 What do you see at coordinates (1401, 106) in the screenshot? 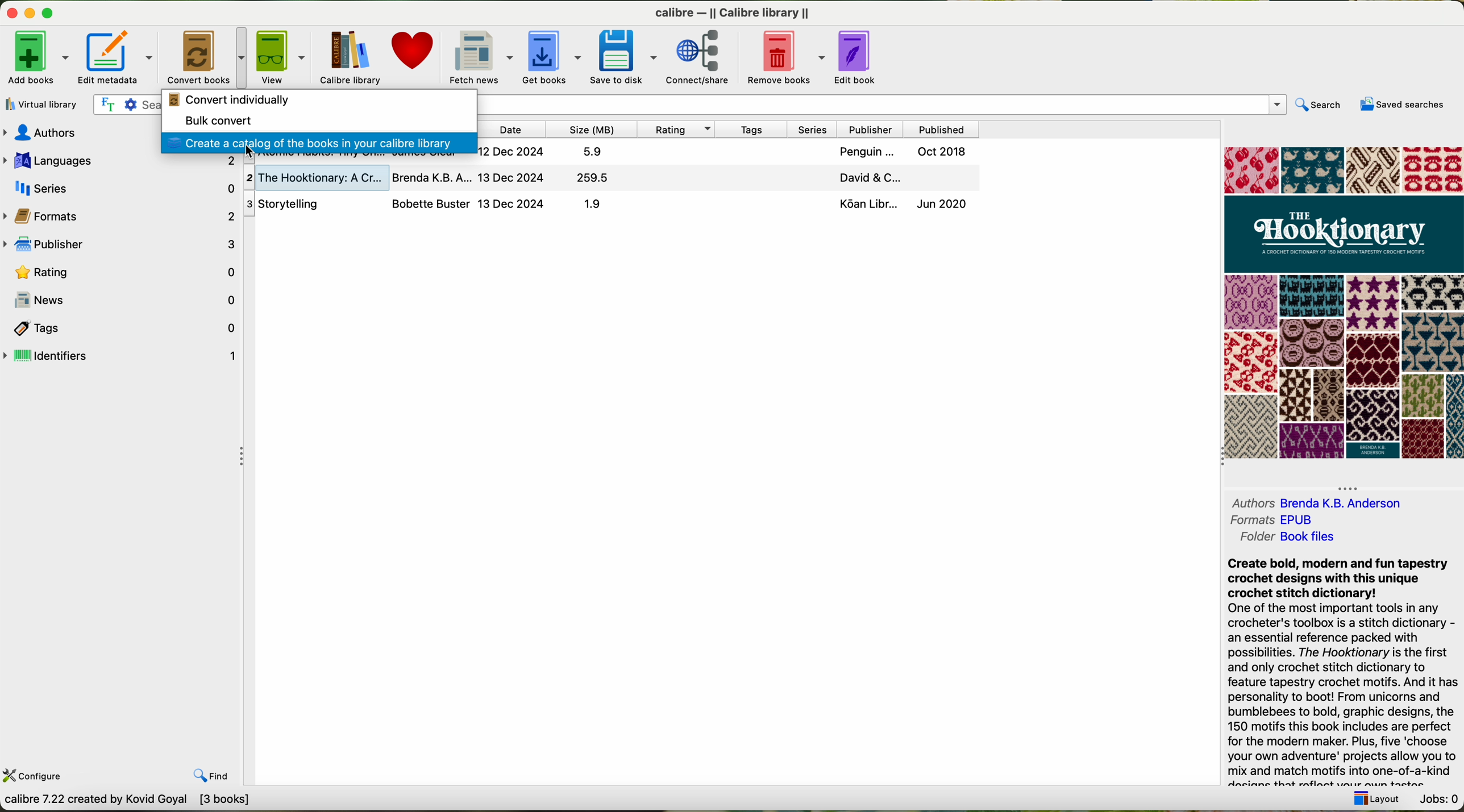
I see `saved searches` at bounding box center [1401, 106].